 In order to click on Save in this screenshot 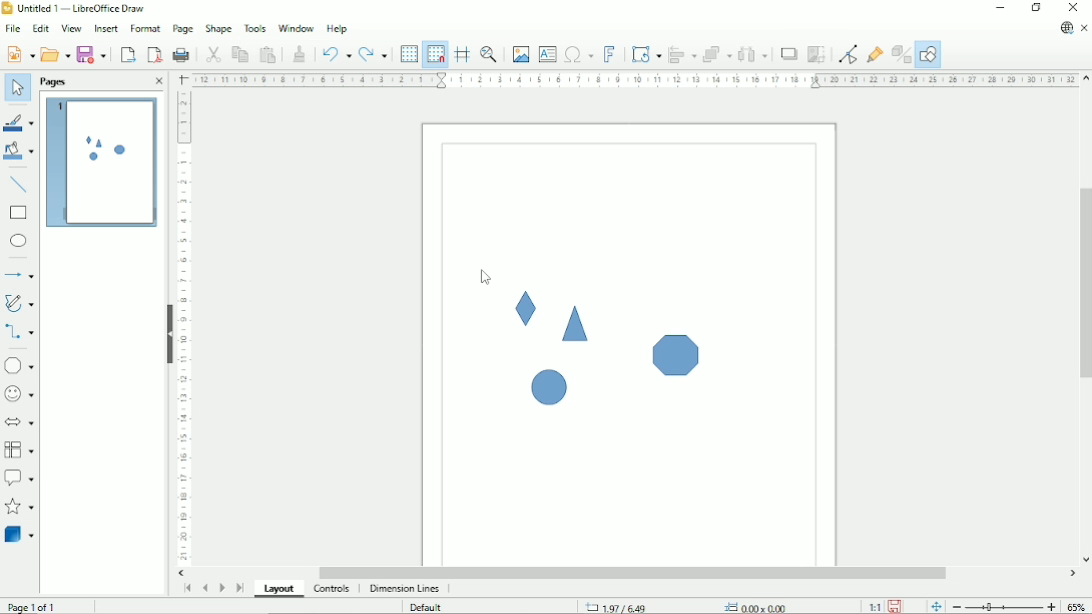, I will do `click(92, 54)`.